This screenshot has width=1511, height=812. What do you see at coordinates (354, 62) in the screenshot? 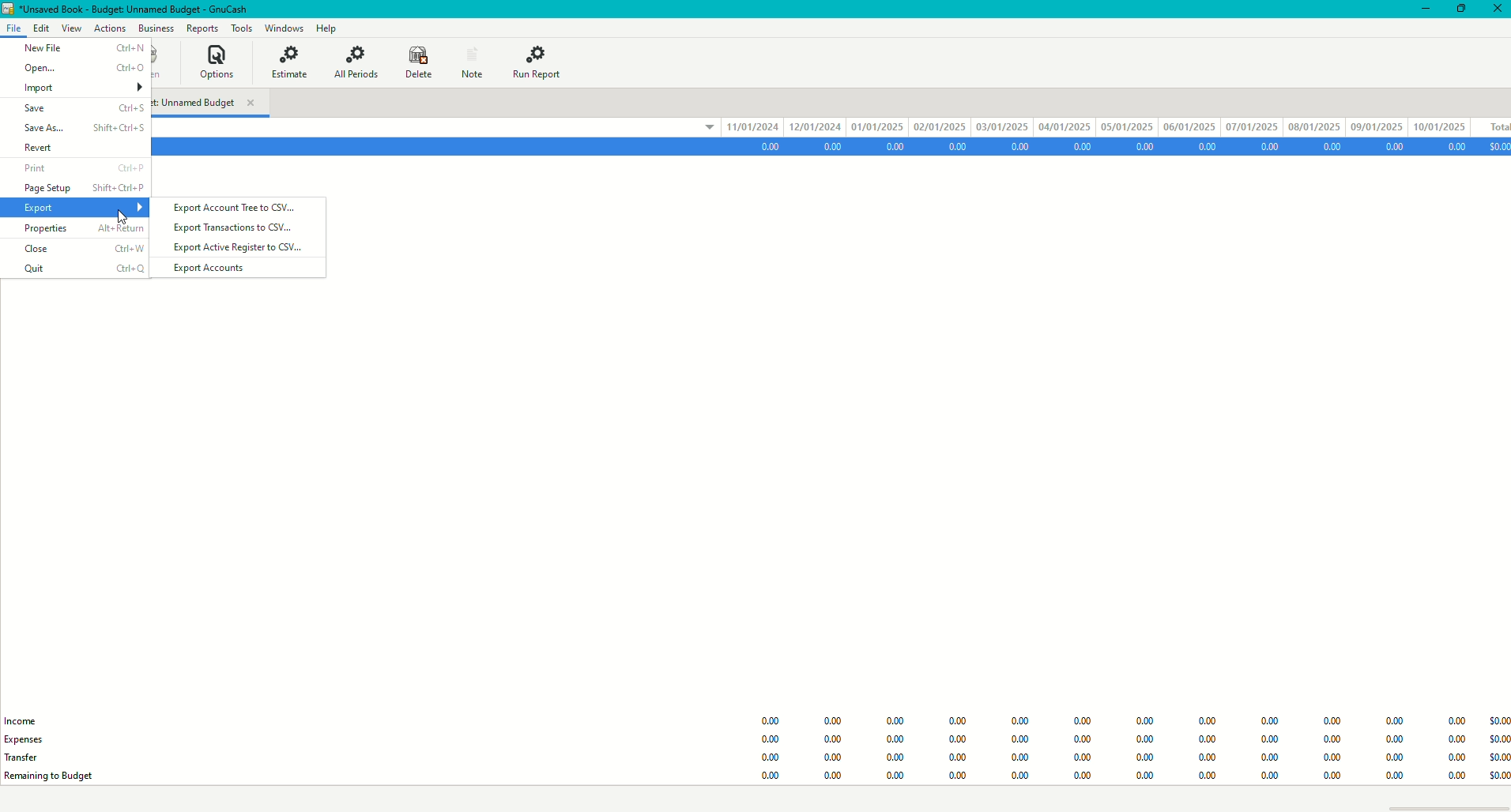
I see `All Periods` at bounding box center [354, 62].